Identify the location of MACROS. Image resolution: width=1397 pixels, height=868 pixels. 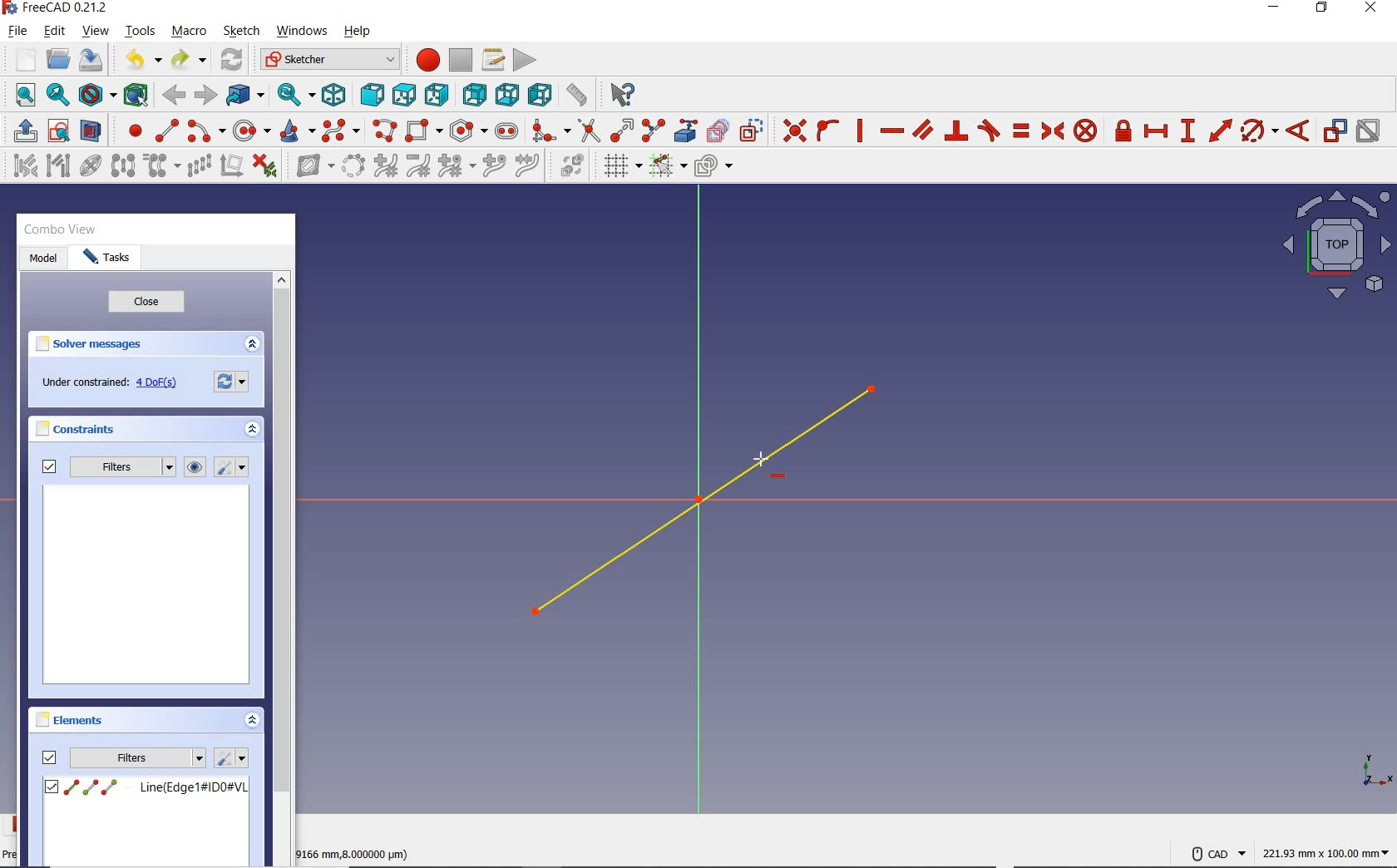
(493, 59).